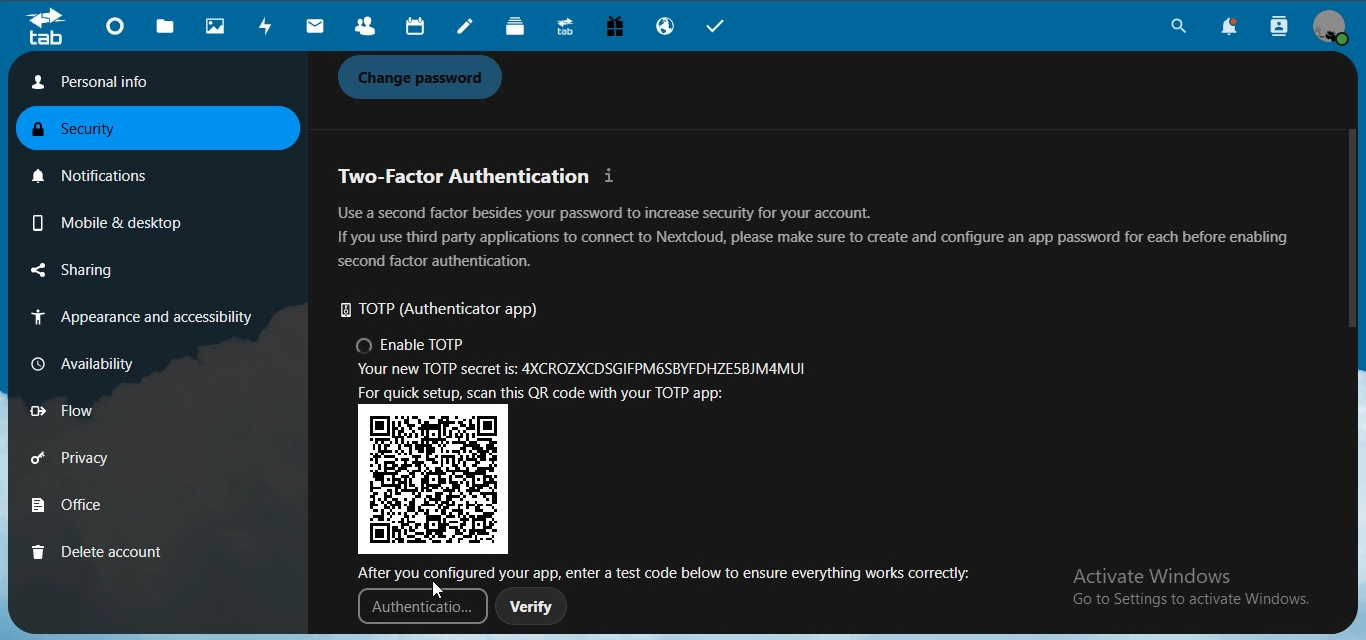  Describe the element at coordinates (149, 82) in the screenshot. I see `personal info` at that location.